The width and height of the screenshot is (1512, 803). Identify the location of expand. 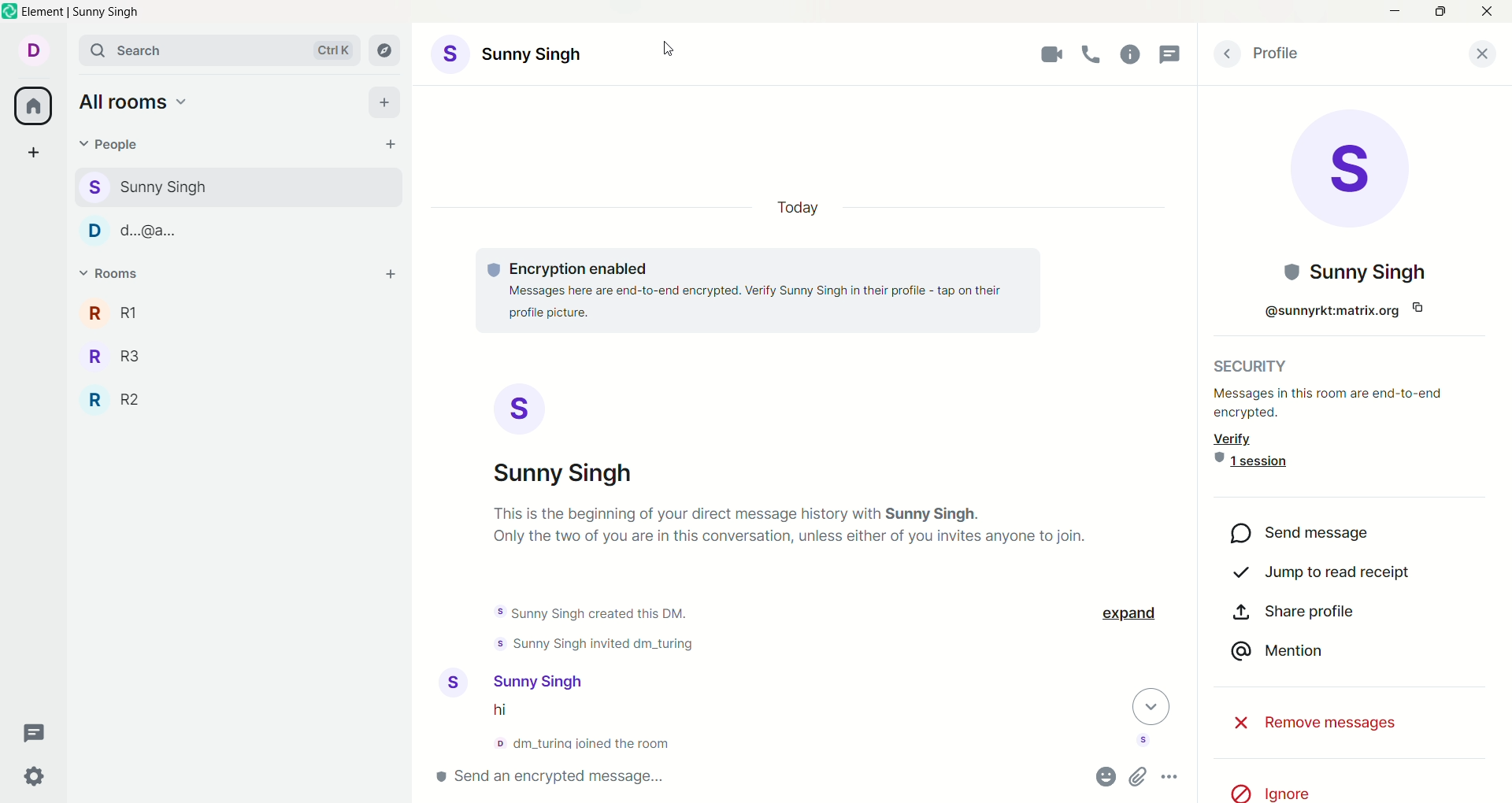
(1132, 615).